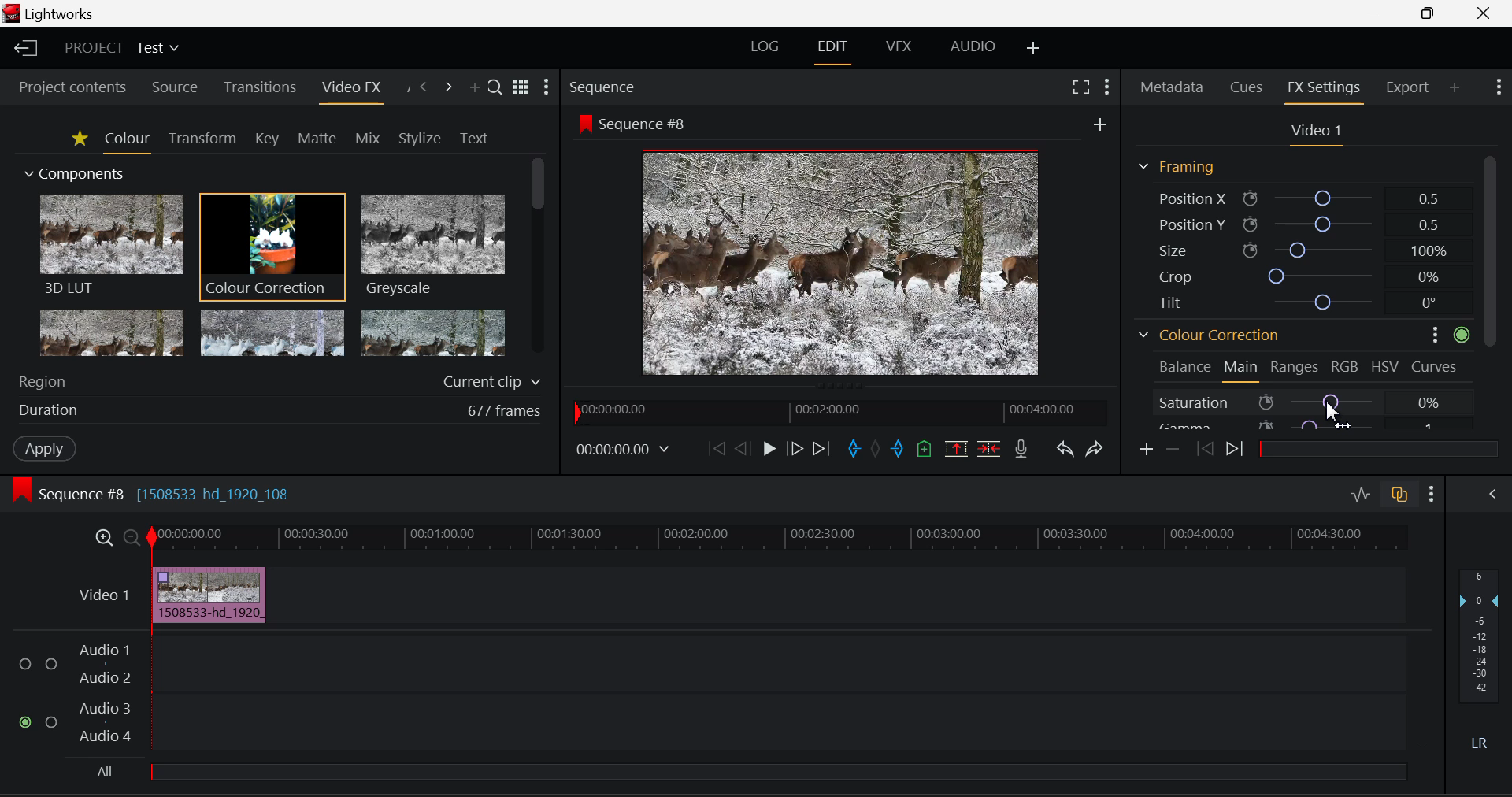  What do you see at coordinates (1204, 450) in the screenshot?
I see `Previous keyframe` at bounding box center [1204, 450].